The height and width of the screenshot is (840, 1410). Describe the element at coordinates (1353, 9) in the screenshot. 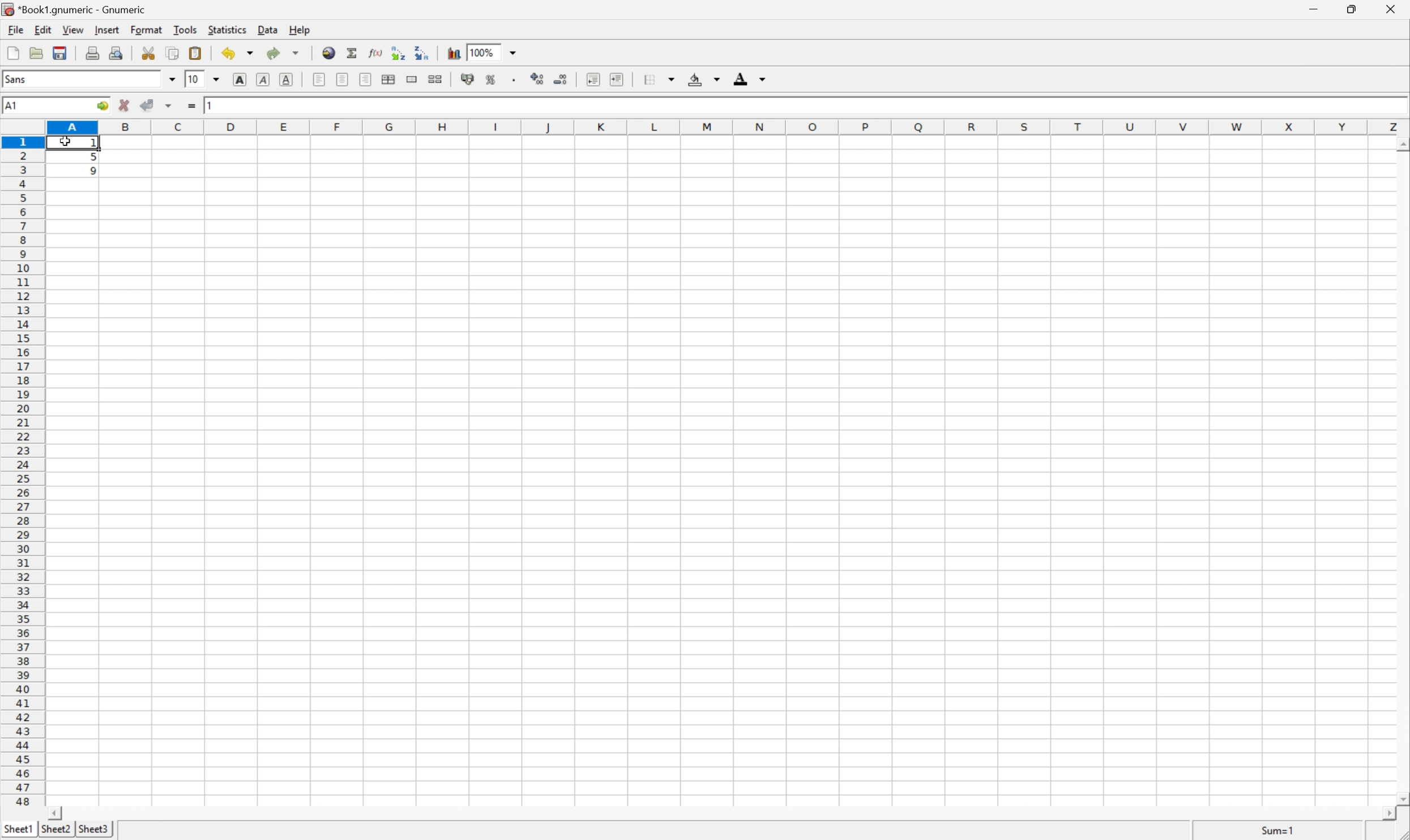

I see `restore down` at that location.